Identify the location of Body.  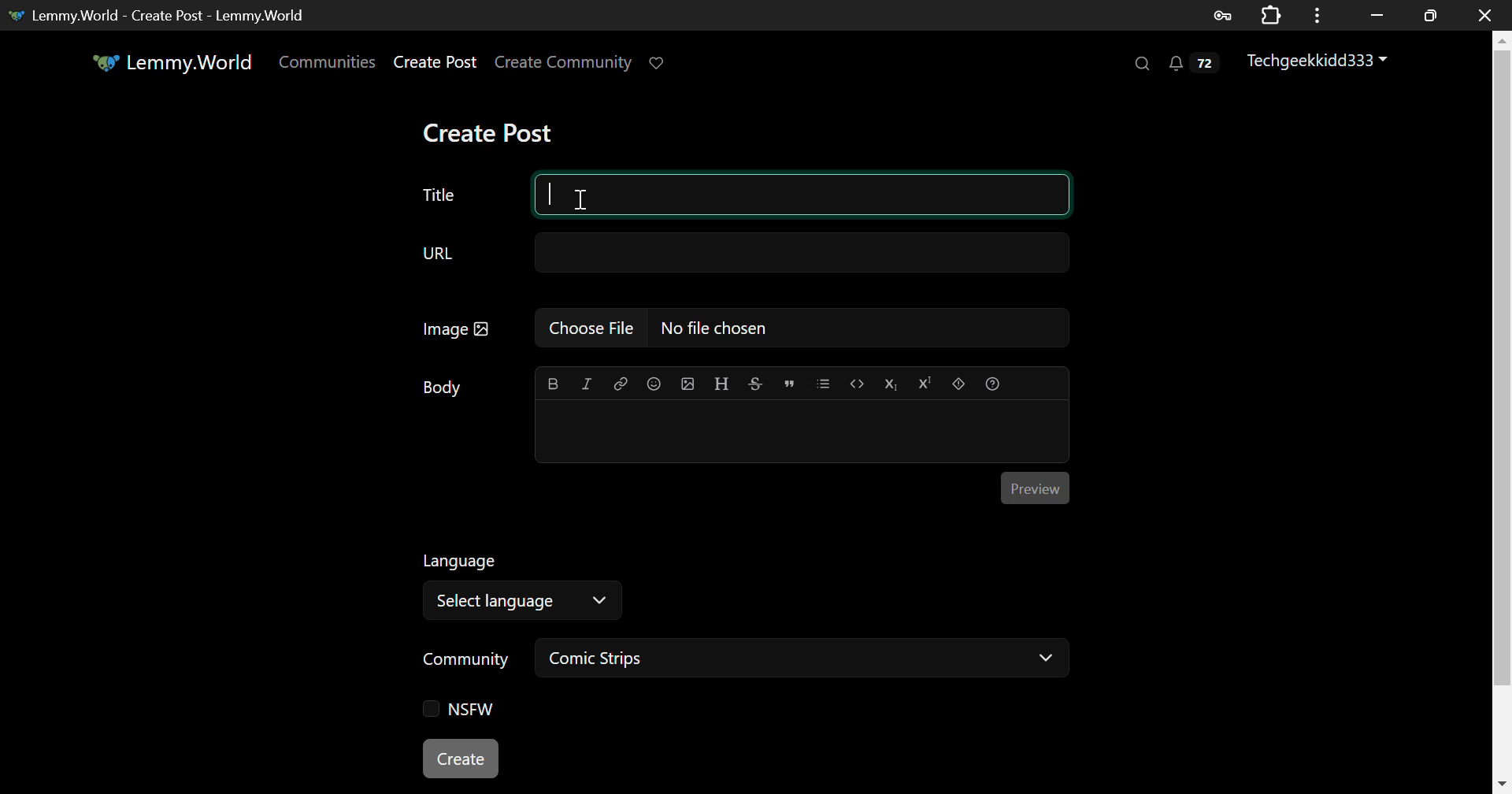
(443, 388).